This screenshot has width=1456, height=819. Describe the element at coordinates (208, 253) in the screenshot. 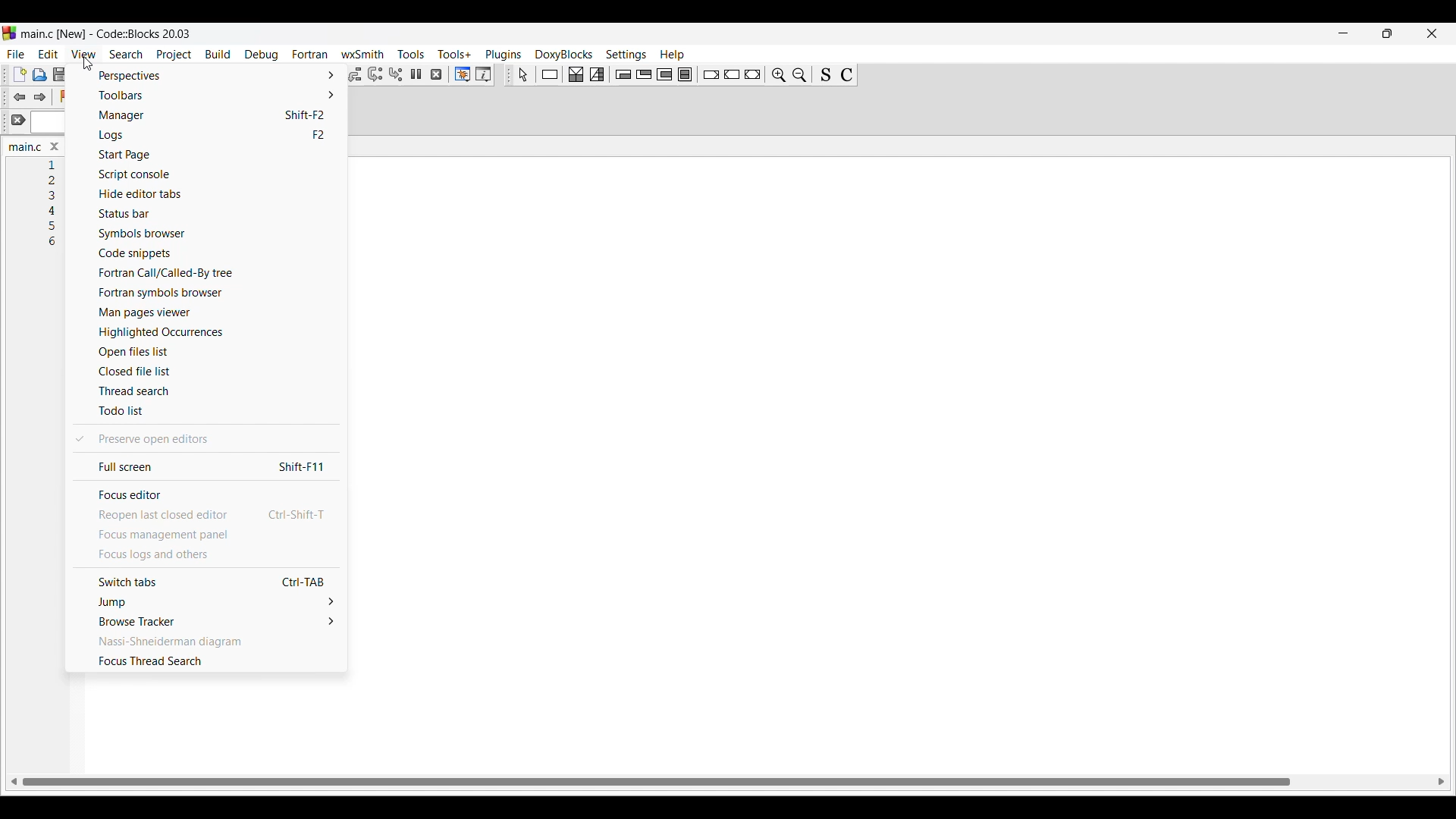

I see `Code snippets` at that location.